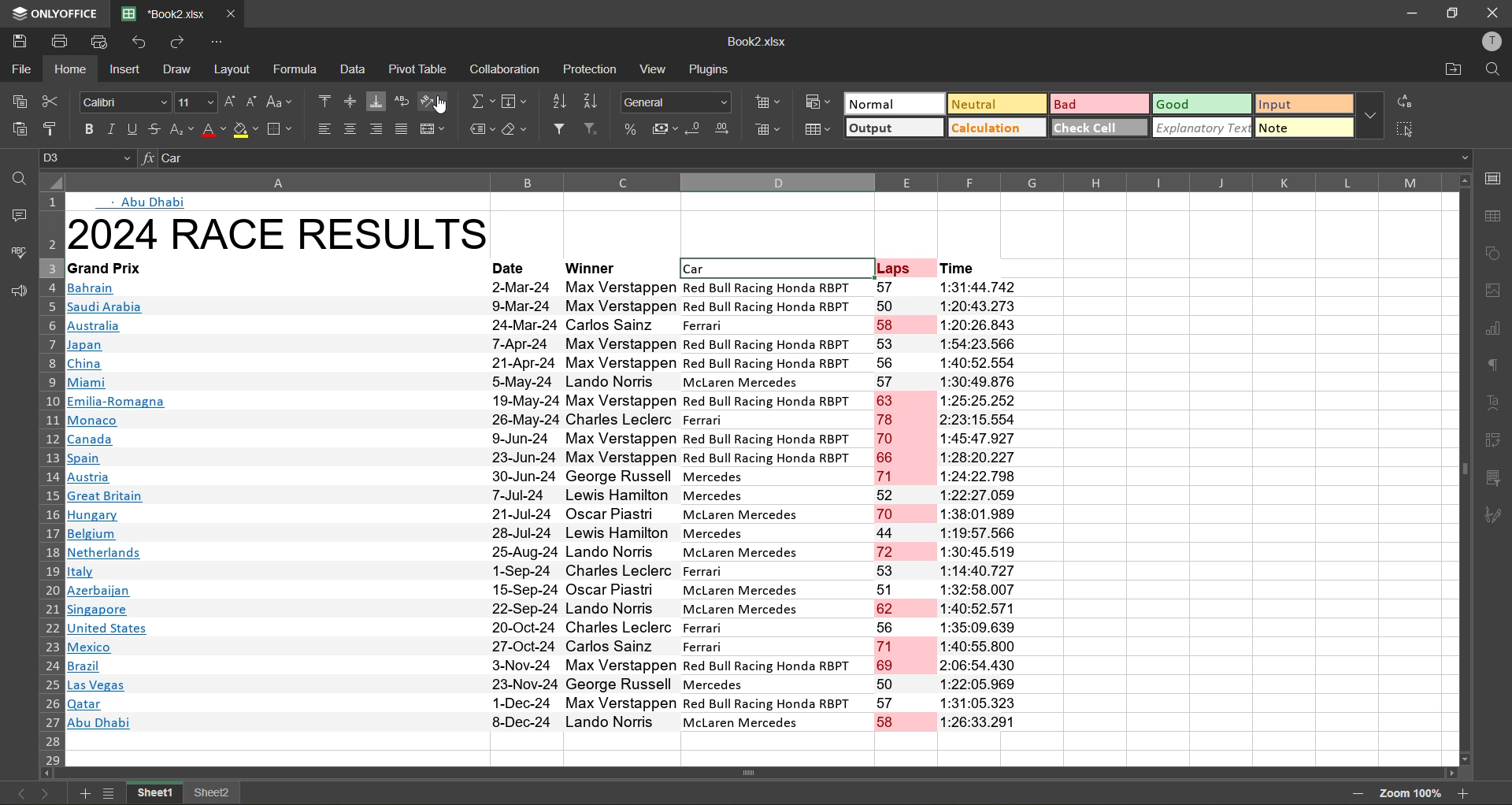  I want to click on good, so click(1204, 103).